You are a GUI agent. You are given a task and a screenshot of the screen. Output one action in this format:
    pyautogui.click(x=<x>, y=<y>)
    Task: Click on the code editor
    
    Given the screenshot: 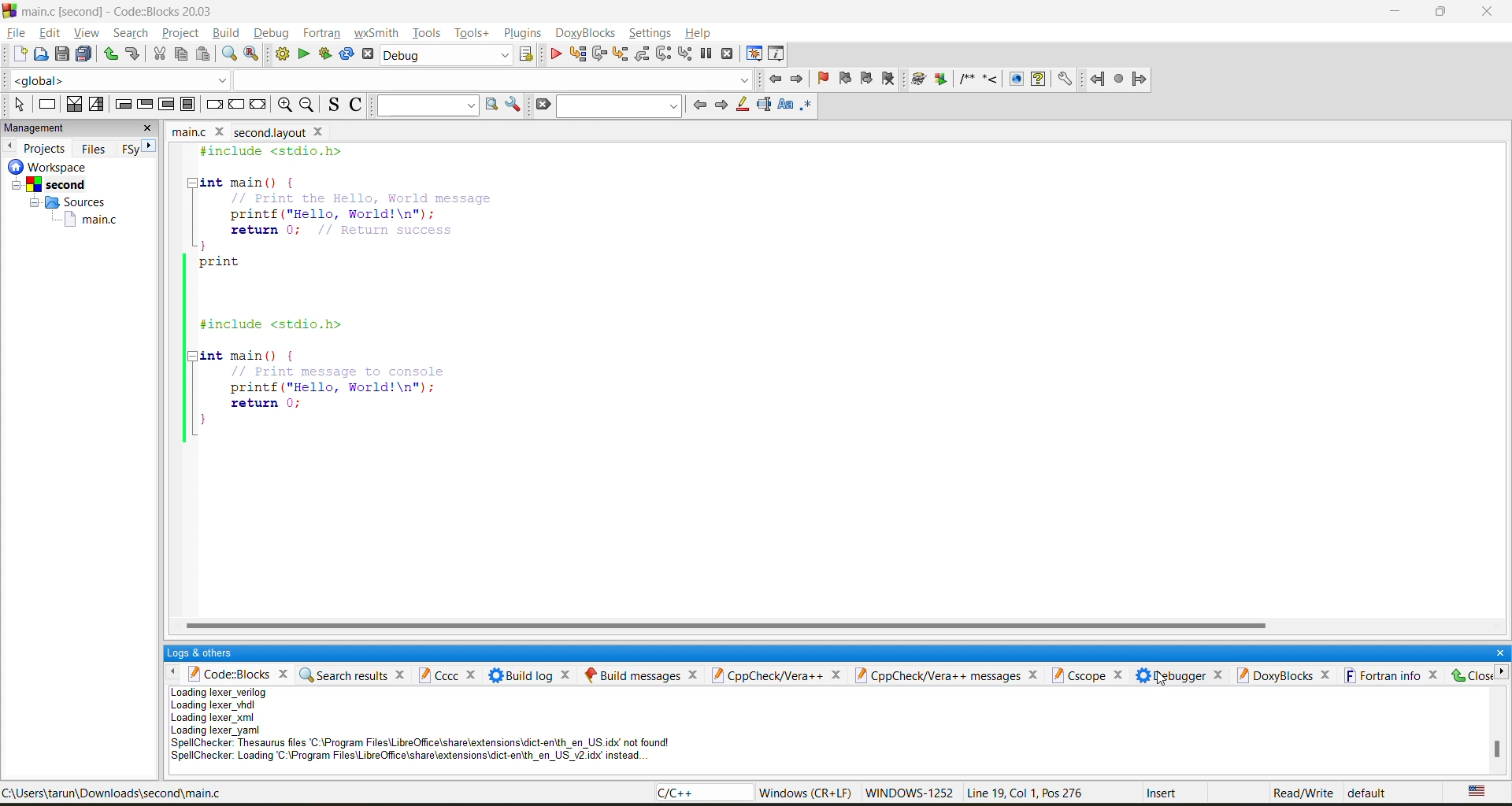 What is the action you would take?
    pyautogui.click(x=350, y=295)
    